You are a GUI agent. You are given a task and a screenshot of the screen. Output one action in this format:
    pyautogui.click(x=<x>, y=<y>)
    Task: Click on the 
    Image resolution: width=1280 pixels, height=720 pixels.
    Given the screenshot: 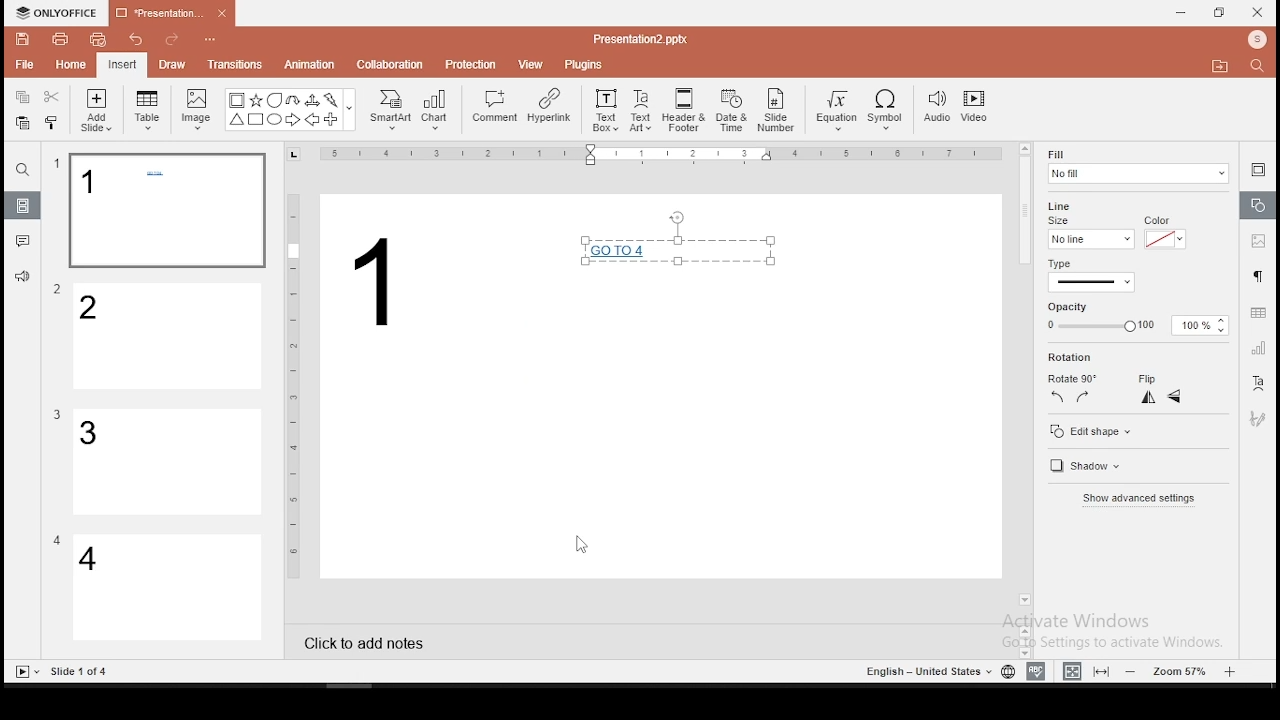 What is the action you would take?
    pyautogui.click(x=57, y=415)
    